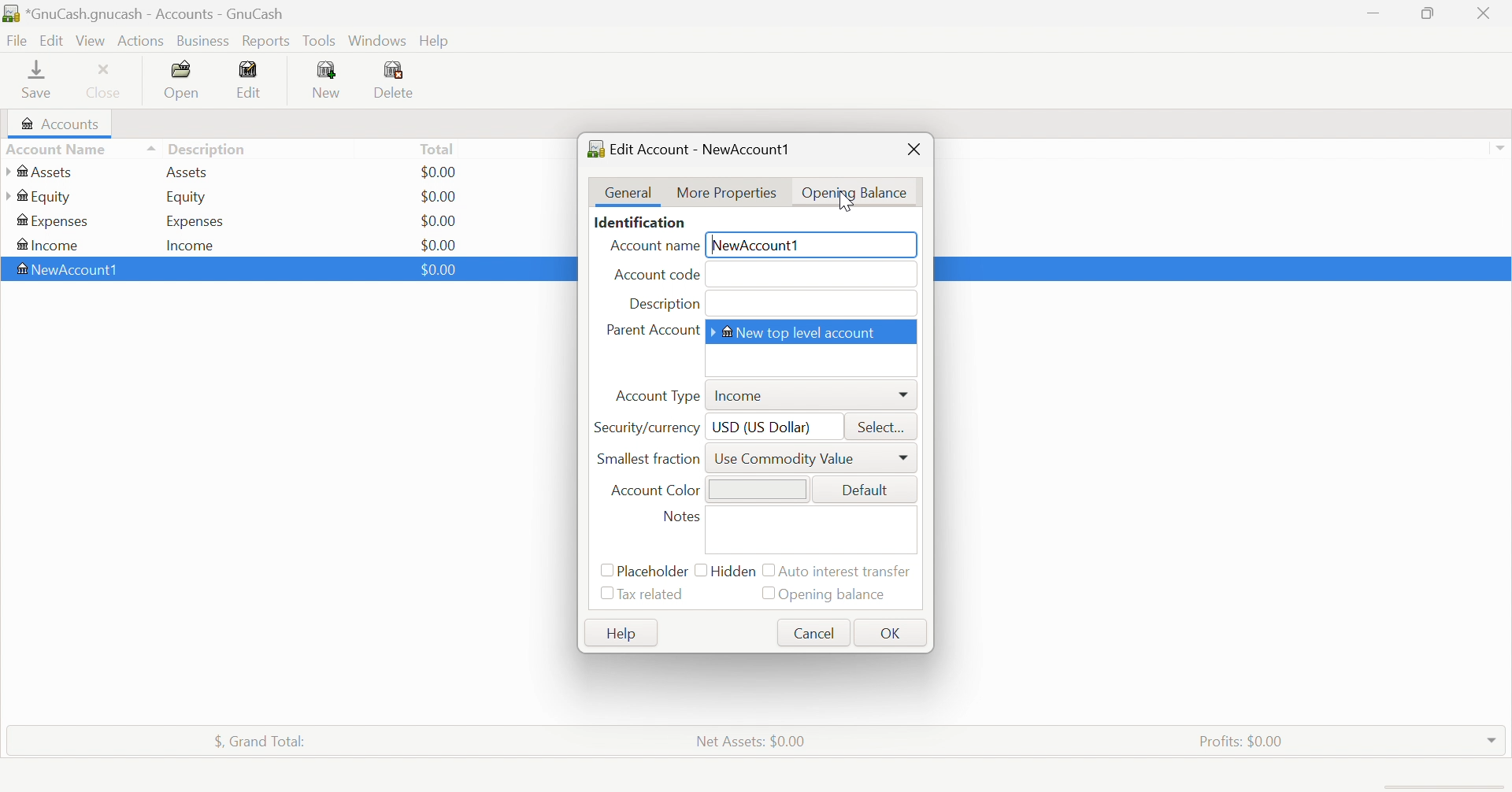 The height and width of the screenshot is (792, 1512). Describe the element at coordinates (439, 242) in the screenshot. I see `$0.00` at that location.